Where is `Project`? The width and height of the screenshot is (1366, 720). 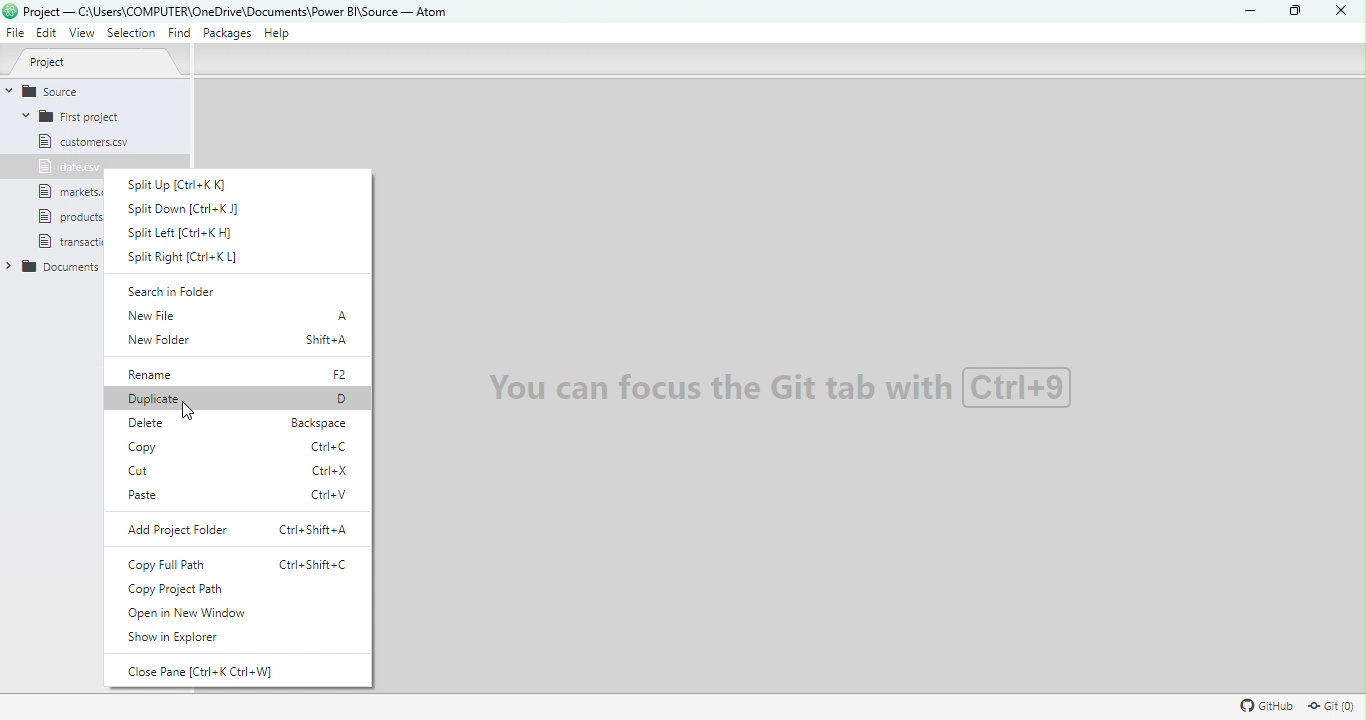 Project is located at coordinates (102, 63).